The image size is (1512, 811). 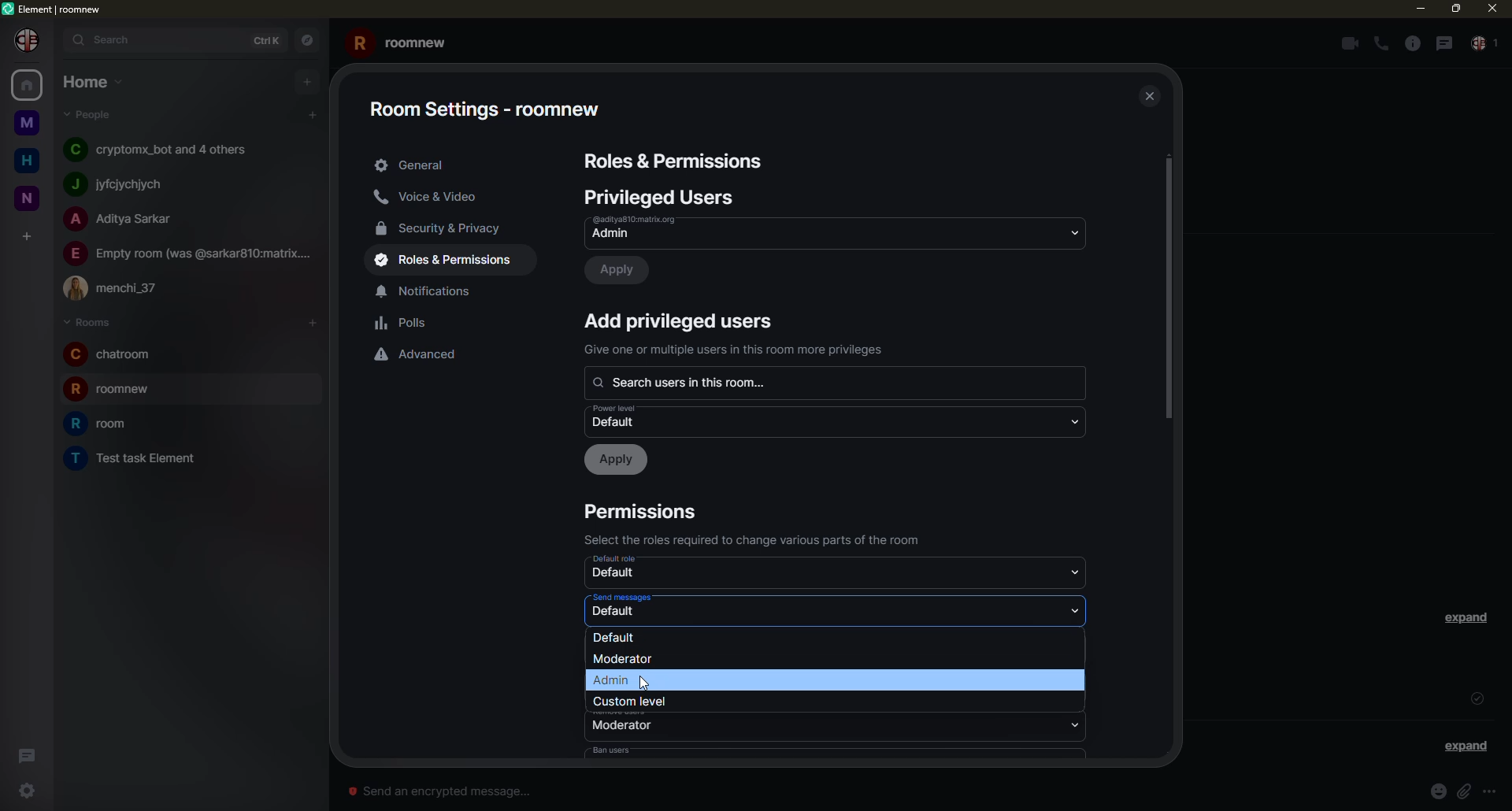 I want to click on home, so click(x=93, y=82).